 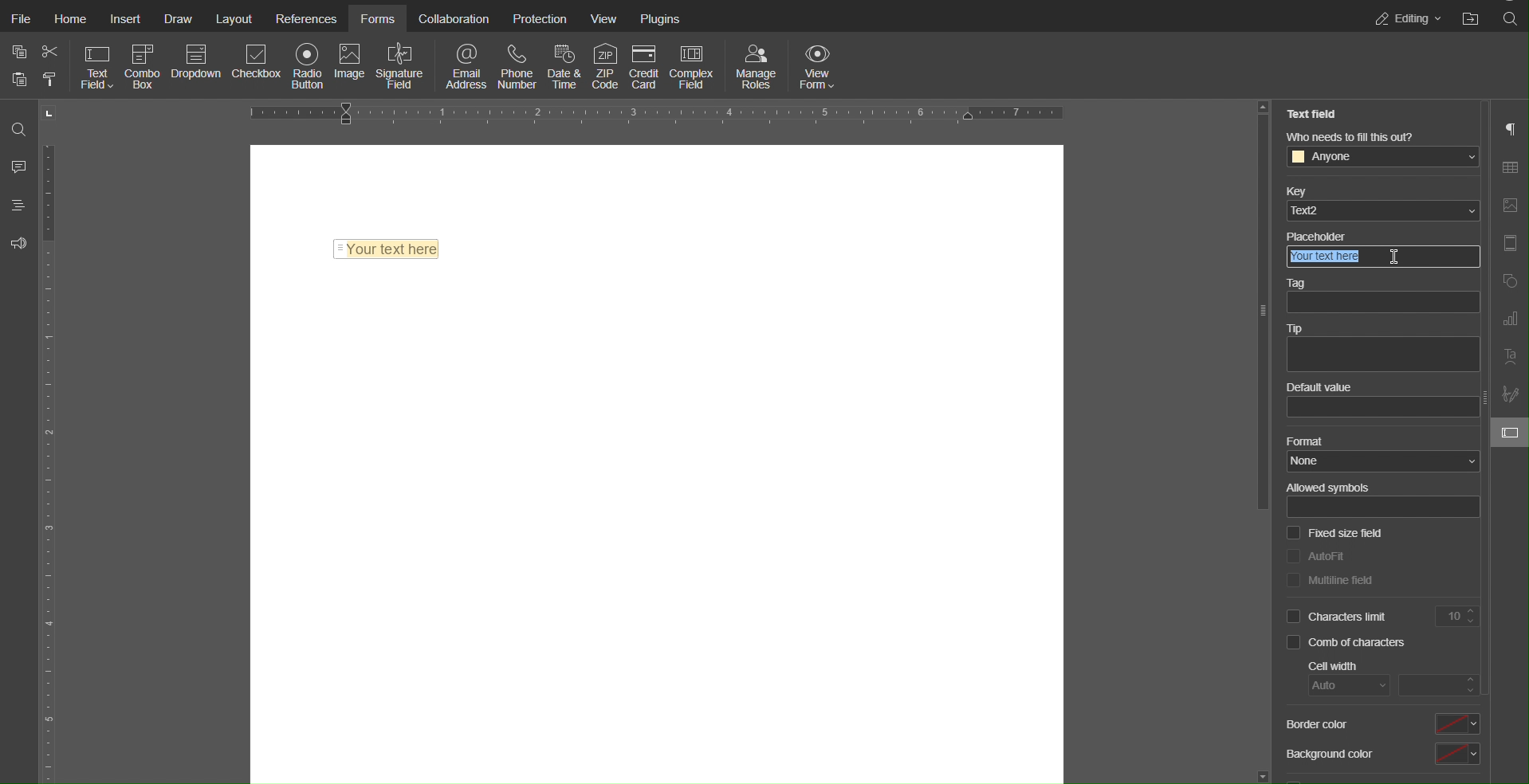 What do you see at coordinates (1408, 17) in the screenshot?
I see `Editing` at bounding box center [1408, 17].